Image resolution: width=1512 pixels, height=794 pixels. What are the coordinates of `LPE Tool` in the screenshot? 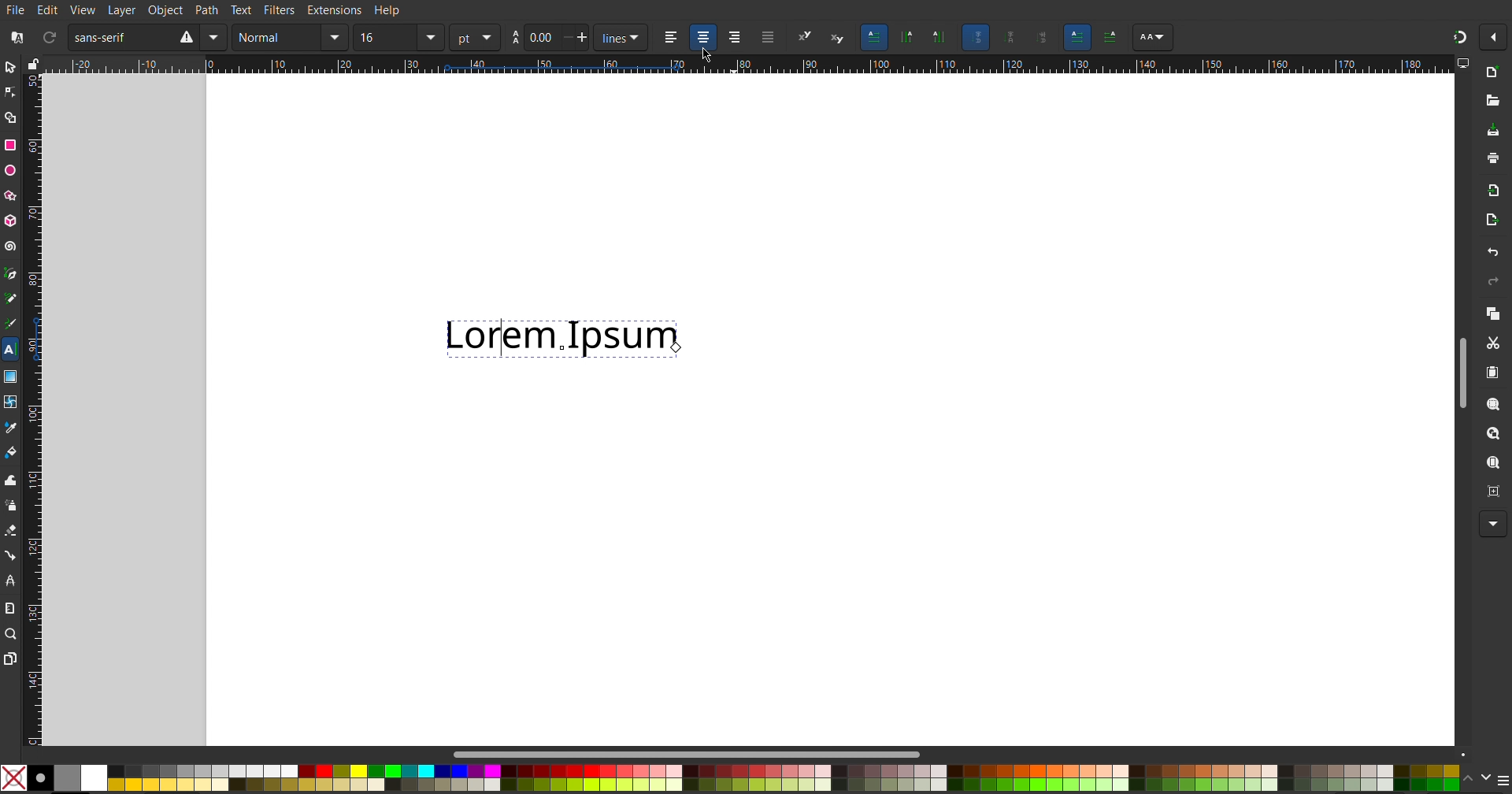 It's located at (13, 581).